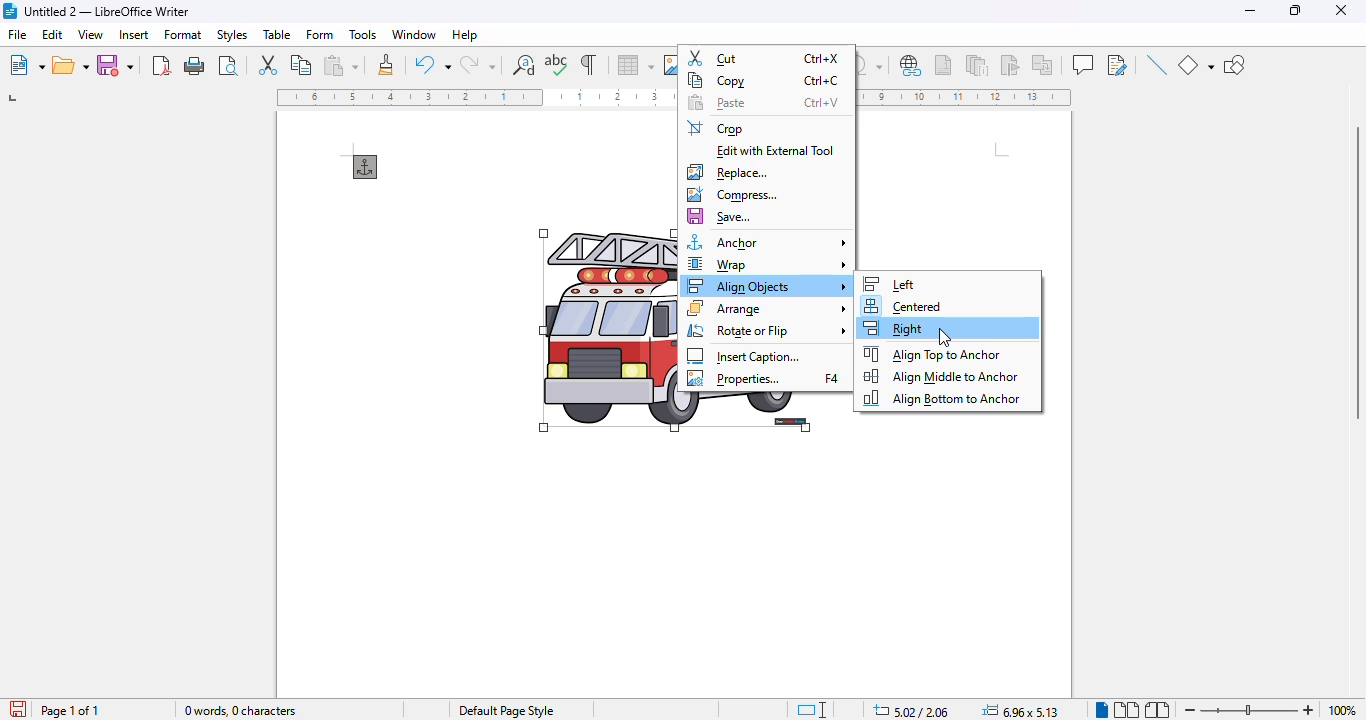  What do you see at coordinates (607, 332) in the screenshot?
I see `image` at bounding box center [607, 332].